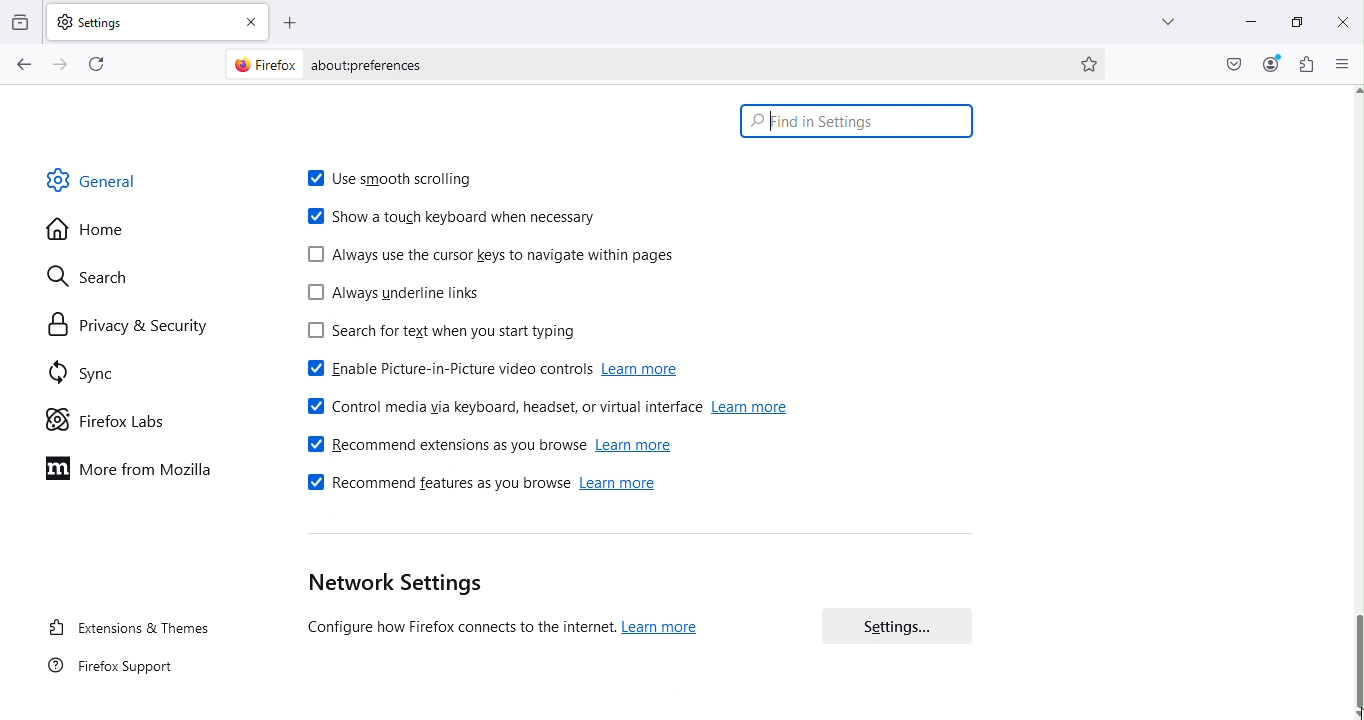 This screenshot has width=1364, height=720. I want to click on Minimize, so click(1248, 21).